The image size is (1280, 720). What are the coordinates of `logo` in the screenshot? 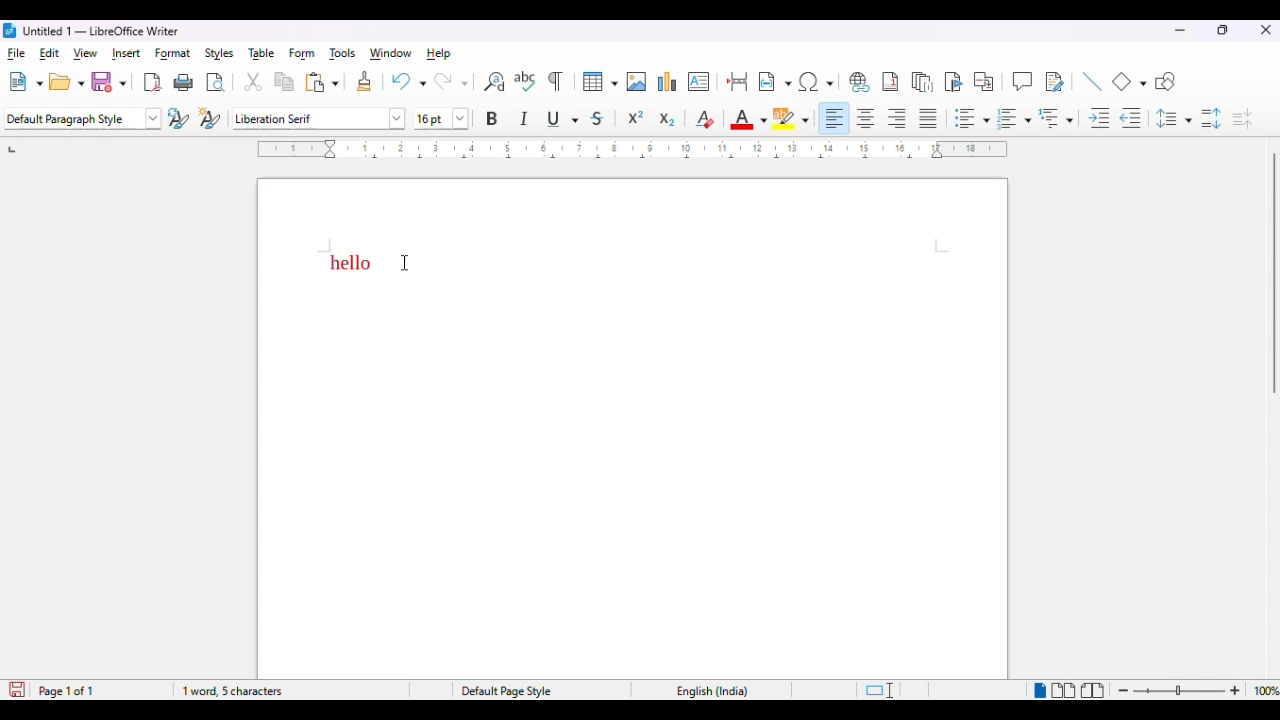 It's located at (10, 30).